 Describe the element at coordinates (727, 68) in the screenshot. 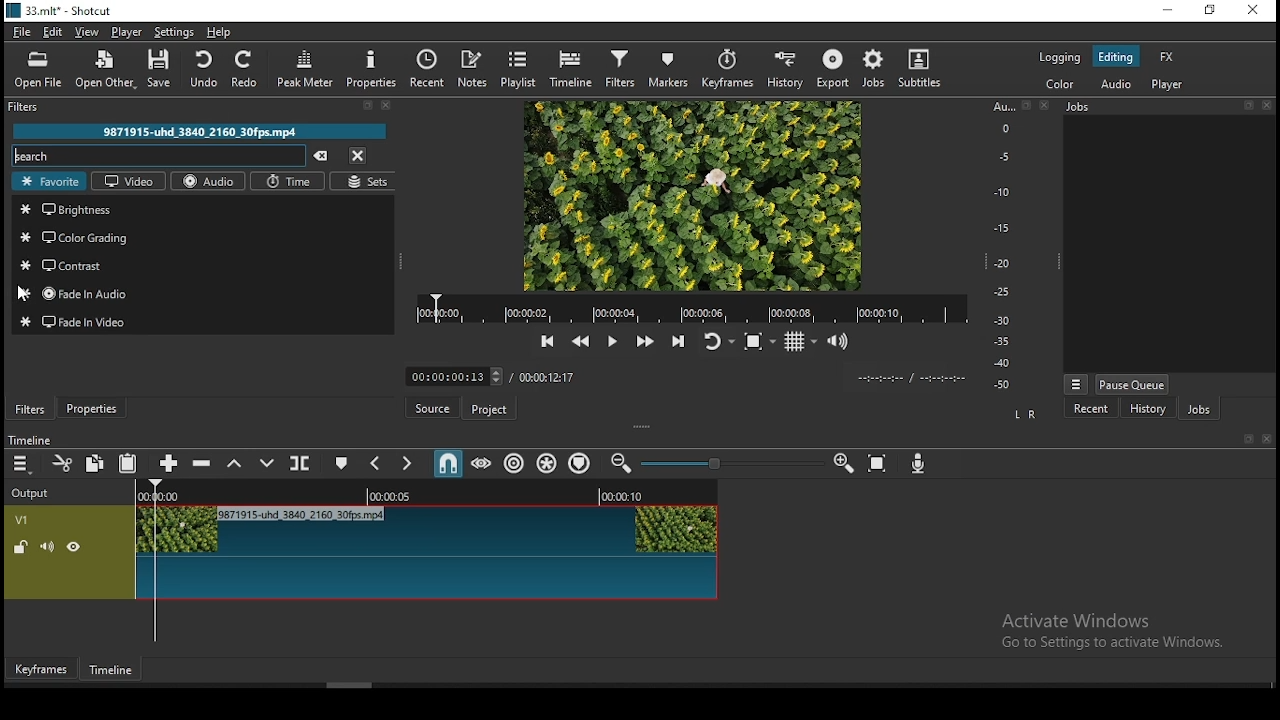

I see `keyframes` at that location.